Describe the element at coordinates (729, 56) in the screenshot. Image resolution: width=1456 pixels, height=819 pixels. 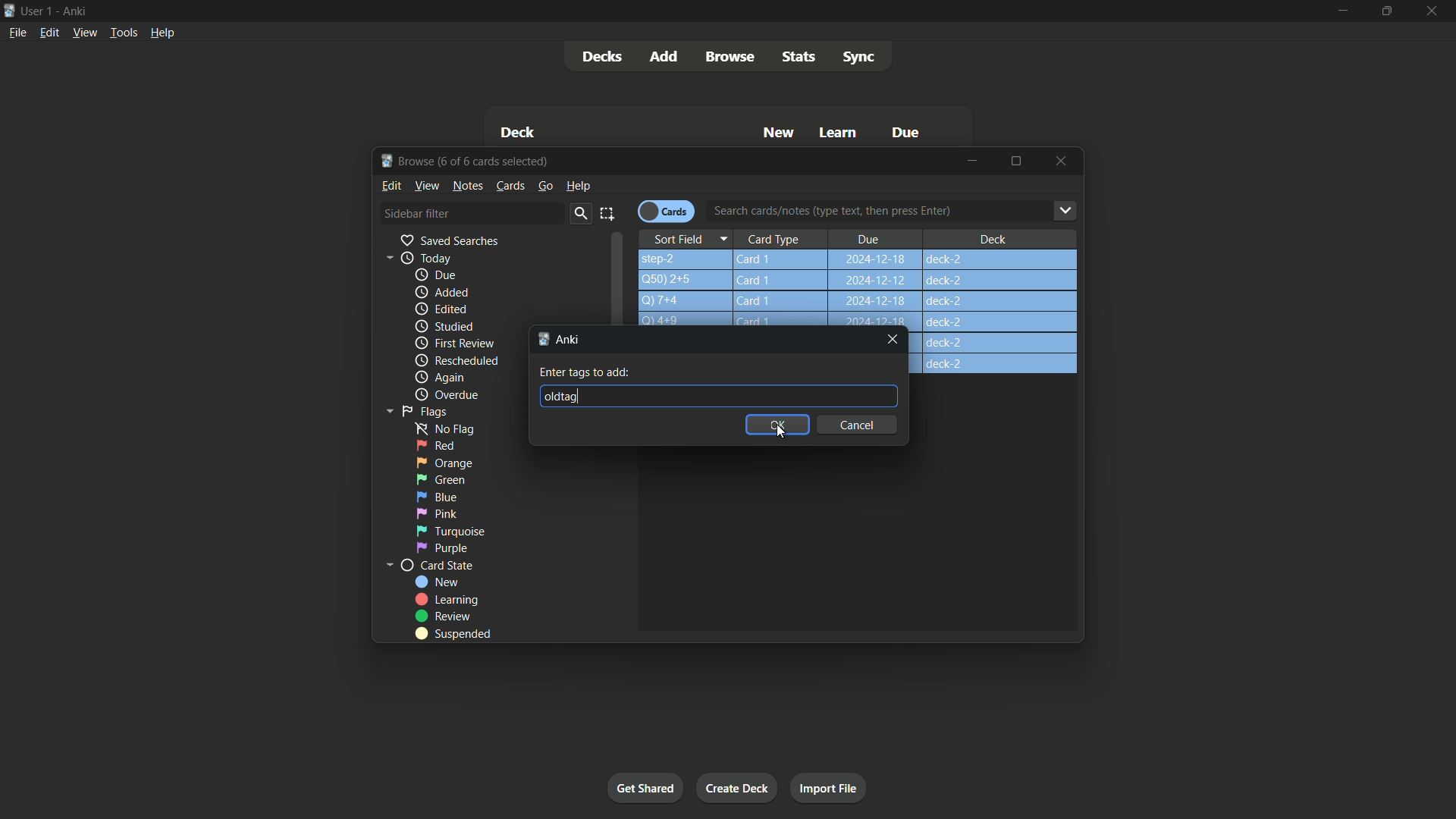
I see `Browse` at that location.